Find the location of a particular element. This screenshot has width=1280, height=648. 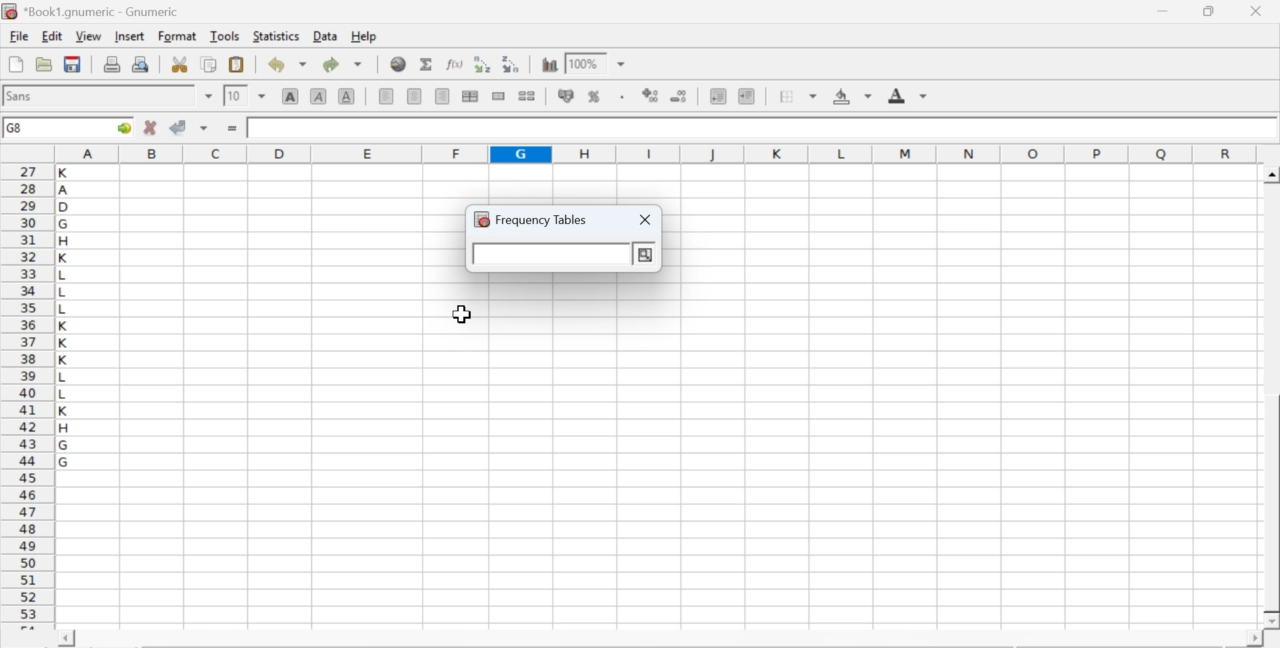

insert chart is located at coordinates (550, 63).